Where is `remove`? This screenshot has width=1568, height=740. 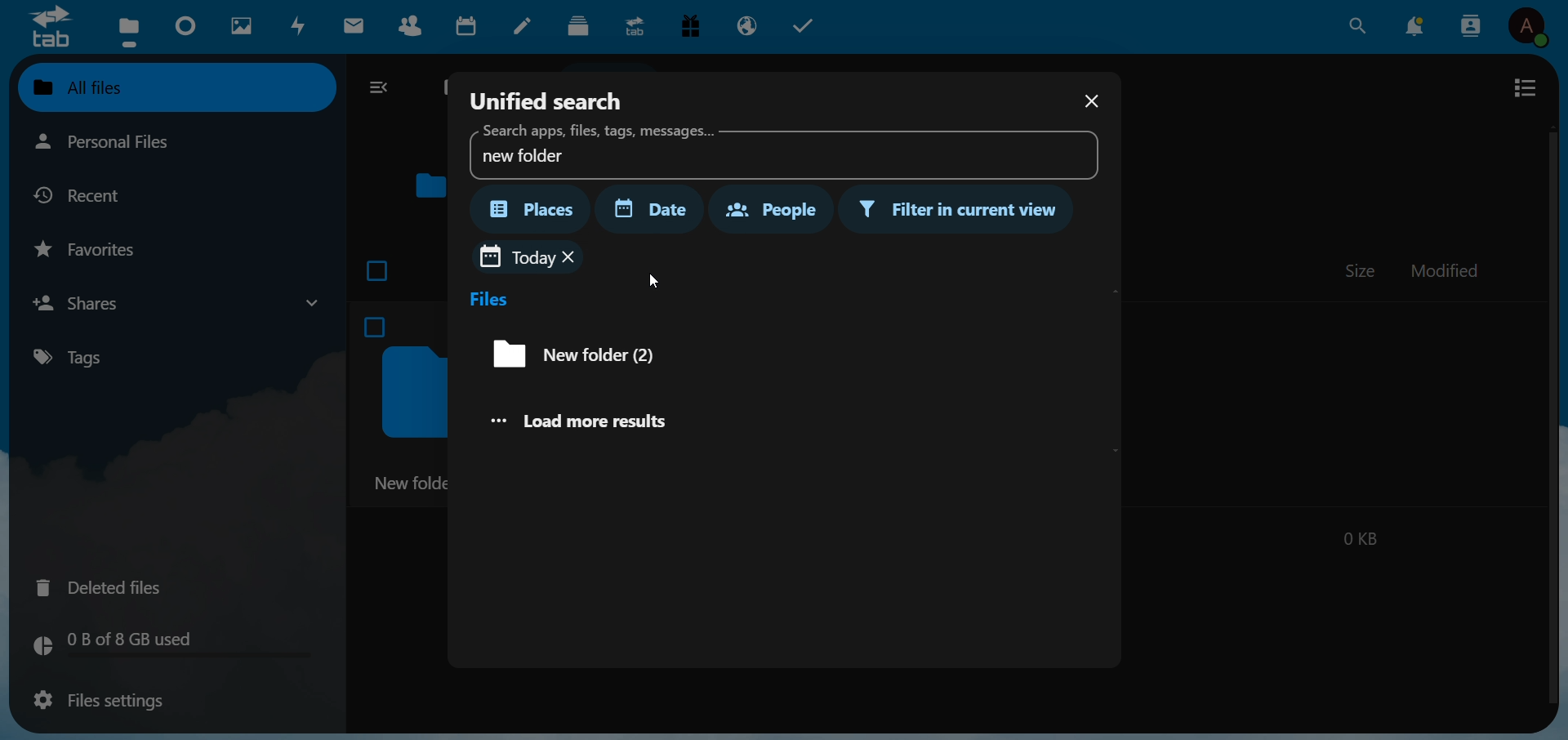 remove is located at coordinates (572, 257).